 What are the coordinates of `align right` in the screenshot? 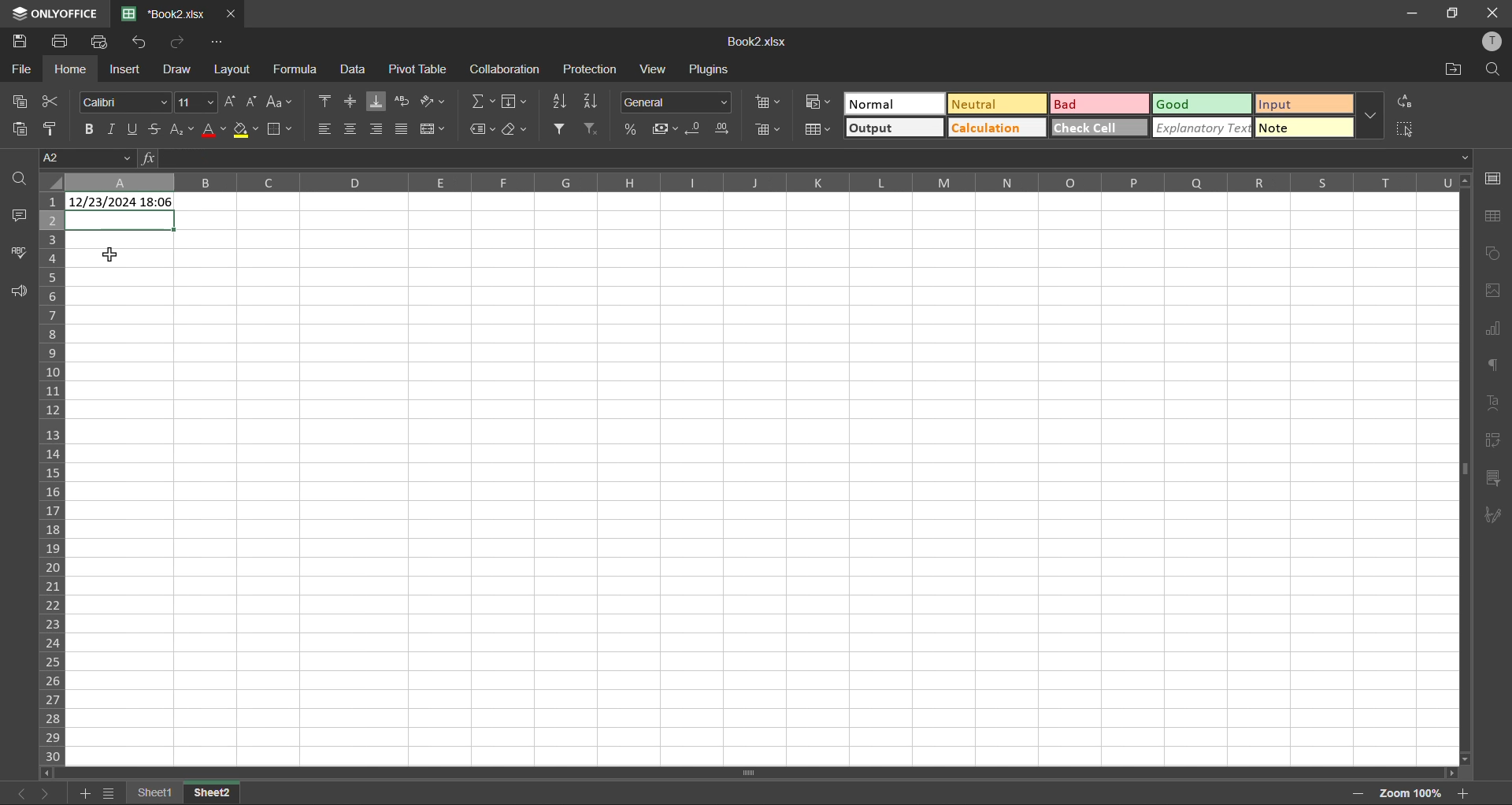 It's located at (376, 128).